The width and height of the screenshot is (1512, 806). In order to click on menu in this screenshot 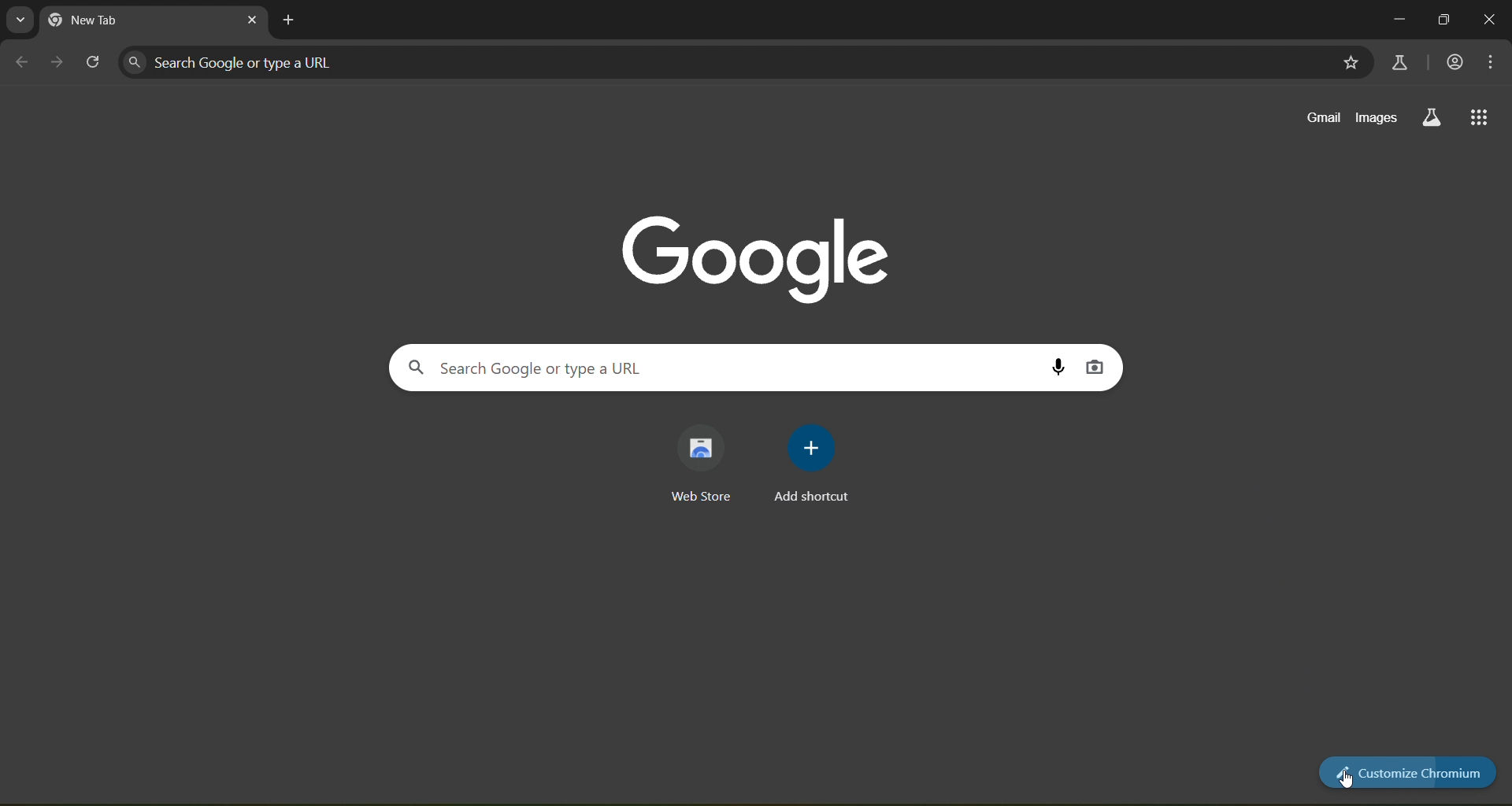, I will do `click(1492, 61)`.